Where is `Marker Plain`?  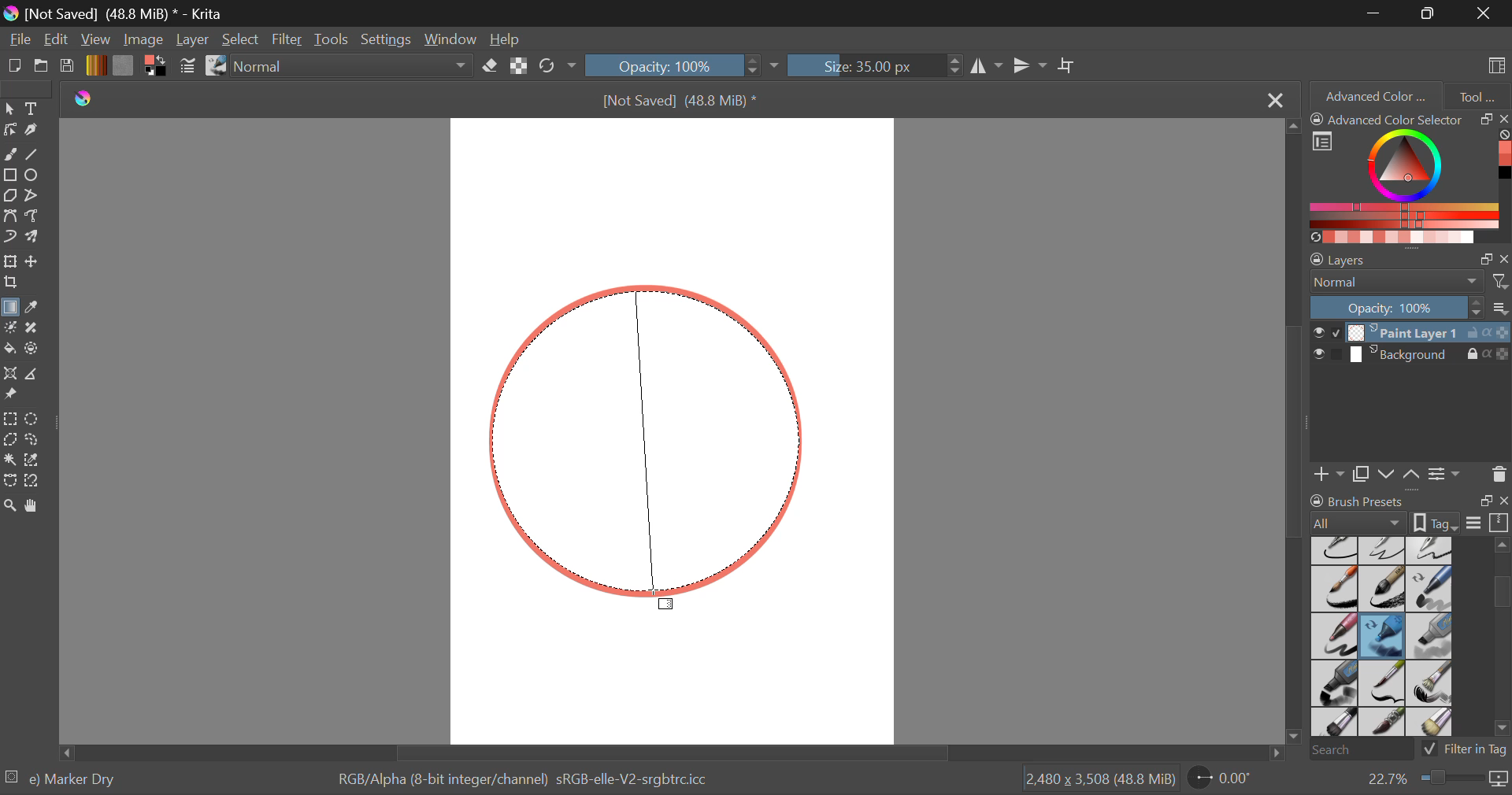 Marker Plain is located at coordinates (1334, 684).